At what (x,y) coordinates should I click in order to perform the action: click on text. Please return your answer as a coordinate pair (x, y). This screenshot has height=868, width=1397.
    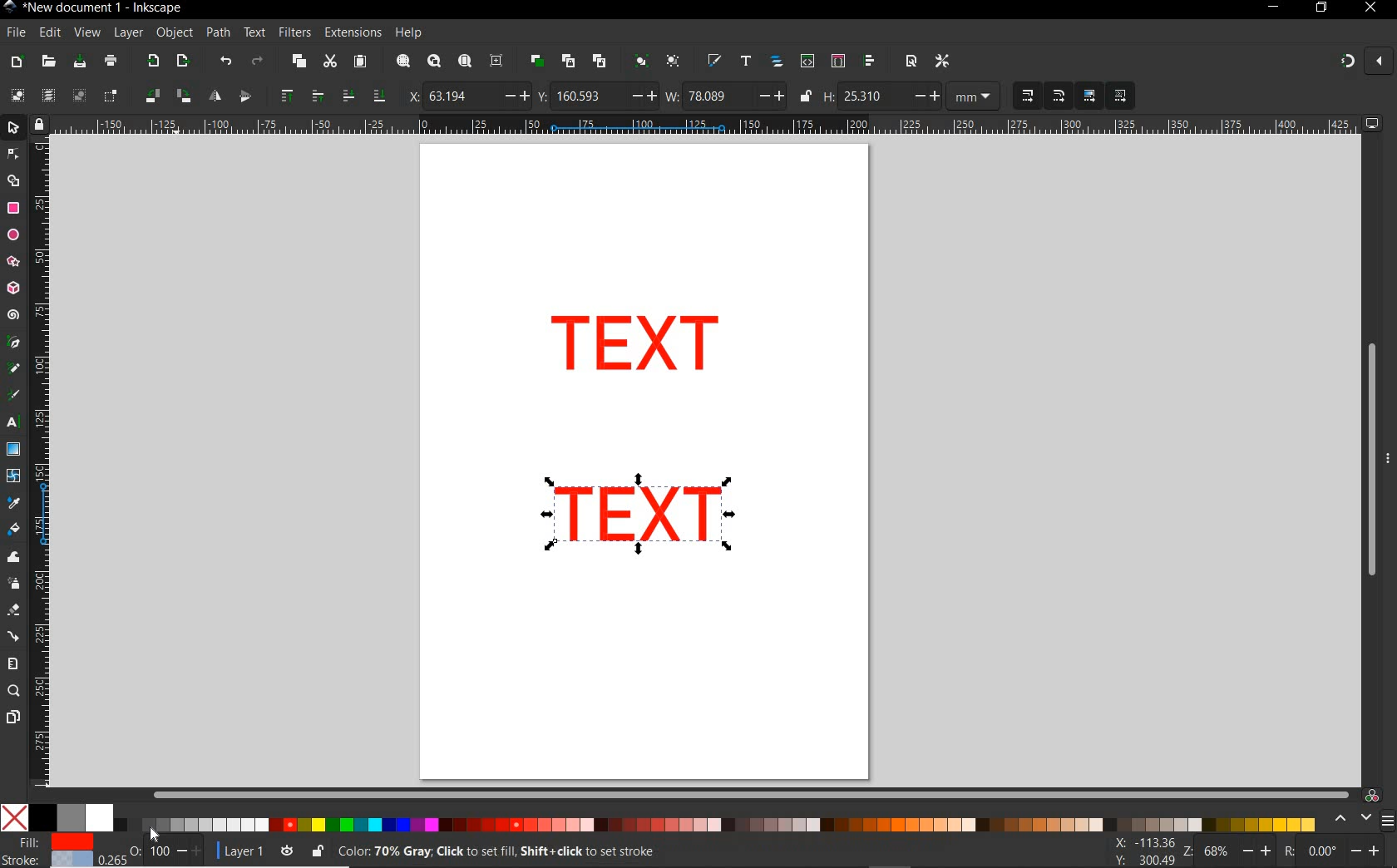
    Looking at the image, I should click on (255, 33).